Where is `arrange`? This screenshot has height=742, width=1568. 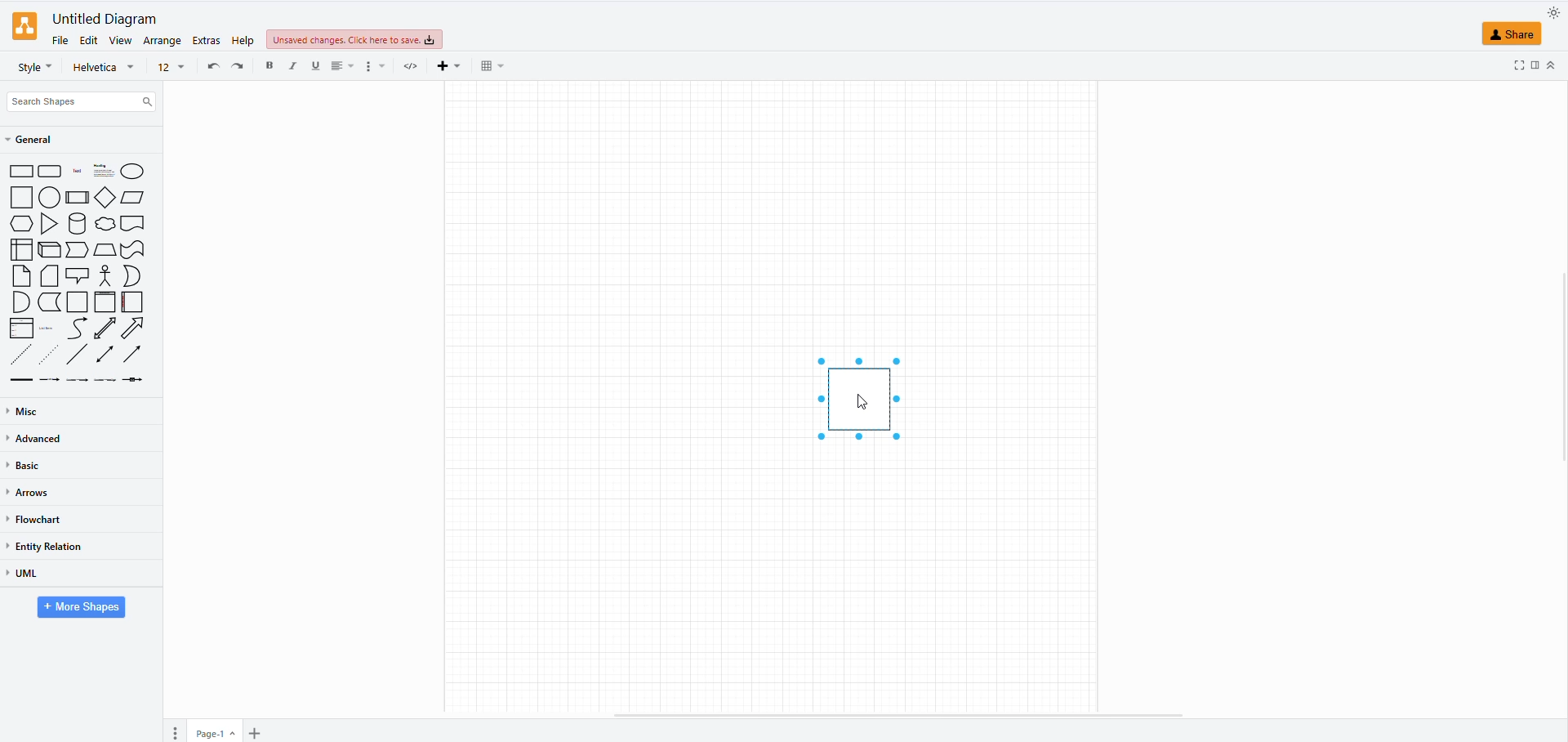
arrange is located at coordinates (161, 40).